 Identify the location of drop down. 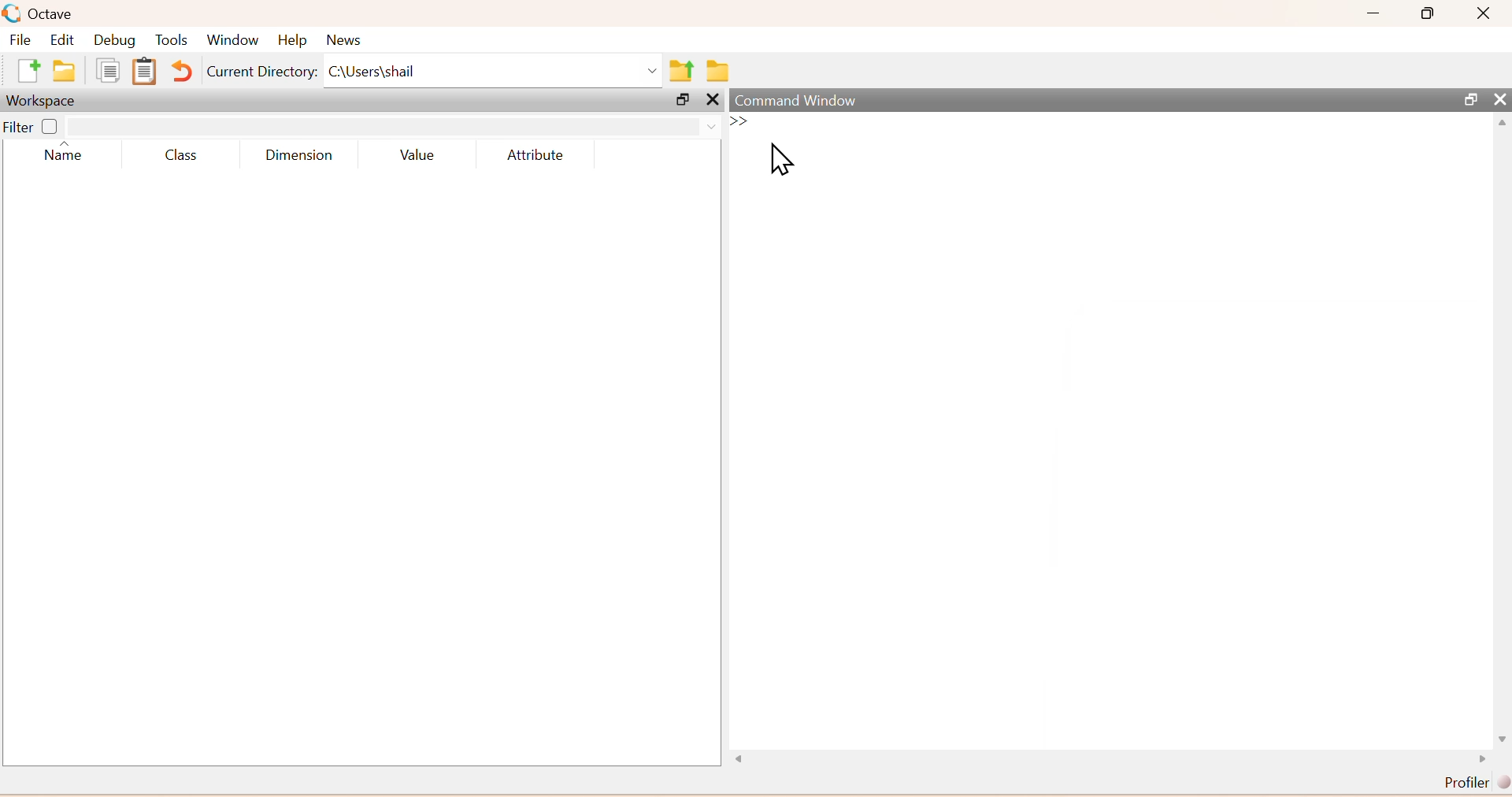
(709, 124).